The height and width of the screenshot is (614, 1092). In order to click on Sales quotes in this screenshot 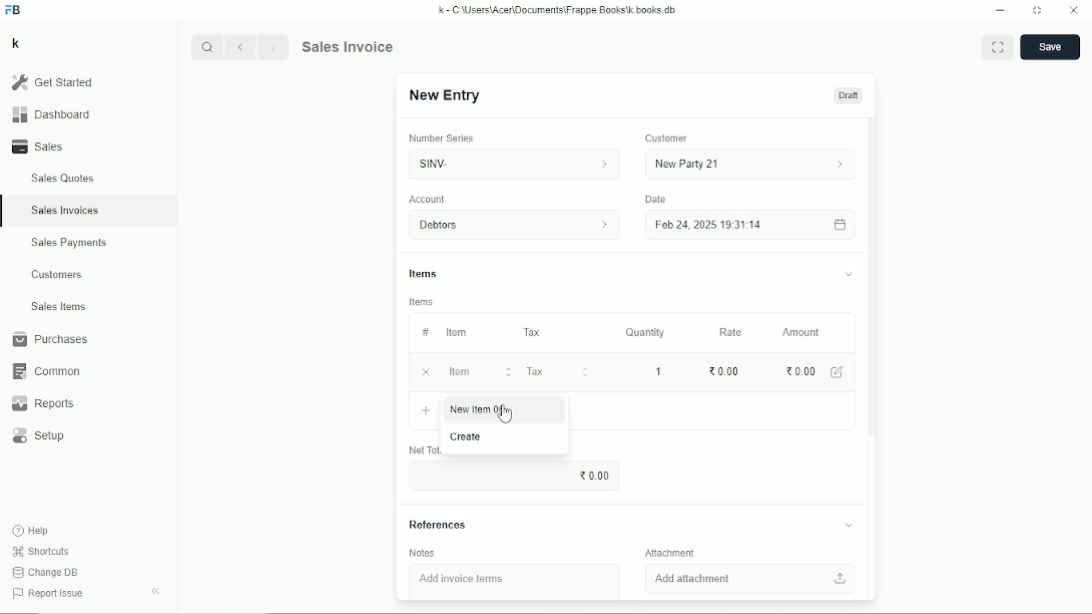, I will do `click(61, 178)`.